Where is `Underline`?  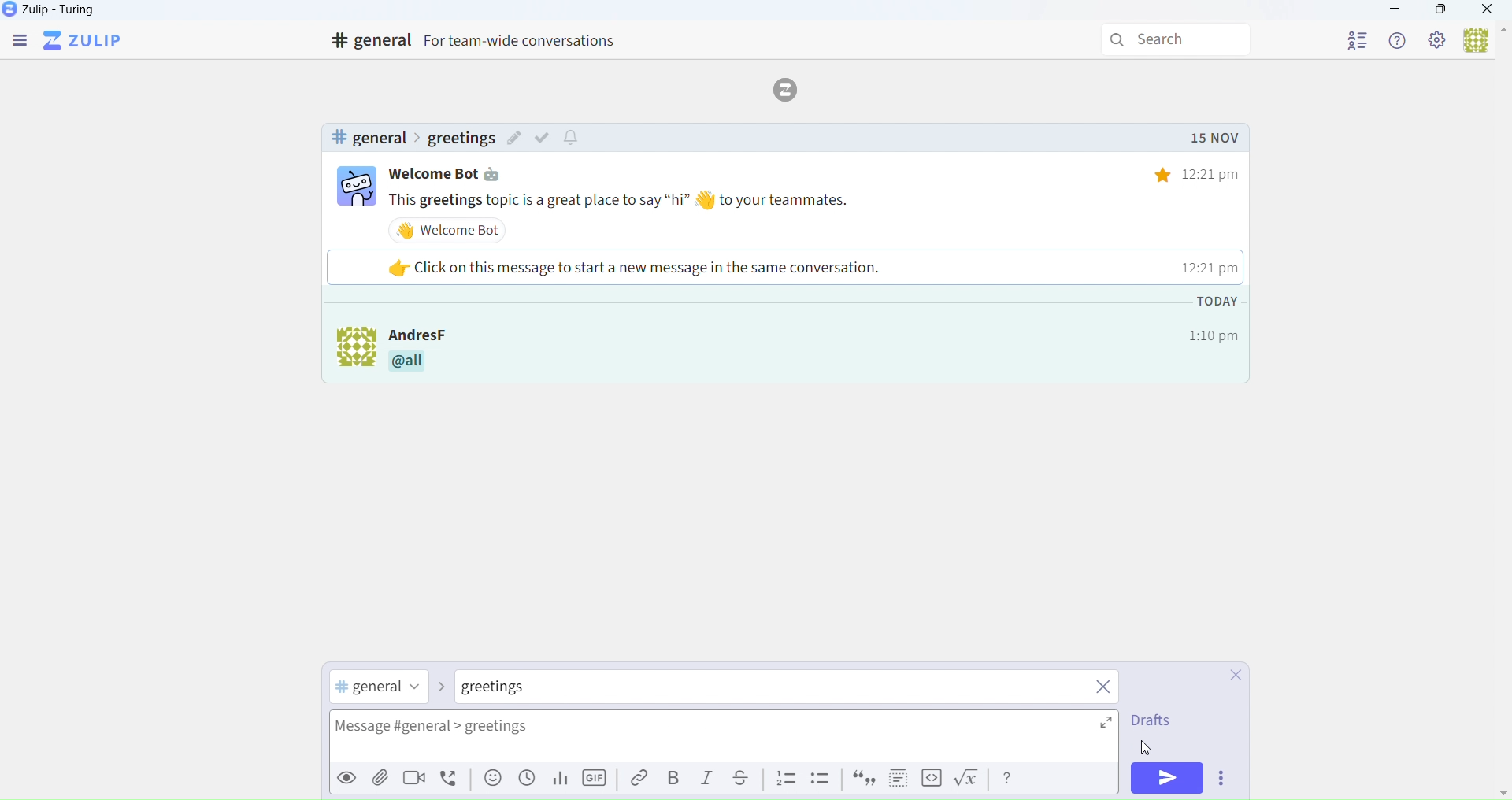 Underline is located at coordinates (747, 779).